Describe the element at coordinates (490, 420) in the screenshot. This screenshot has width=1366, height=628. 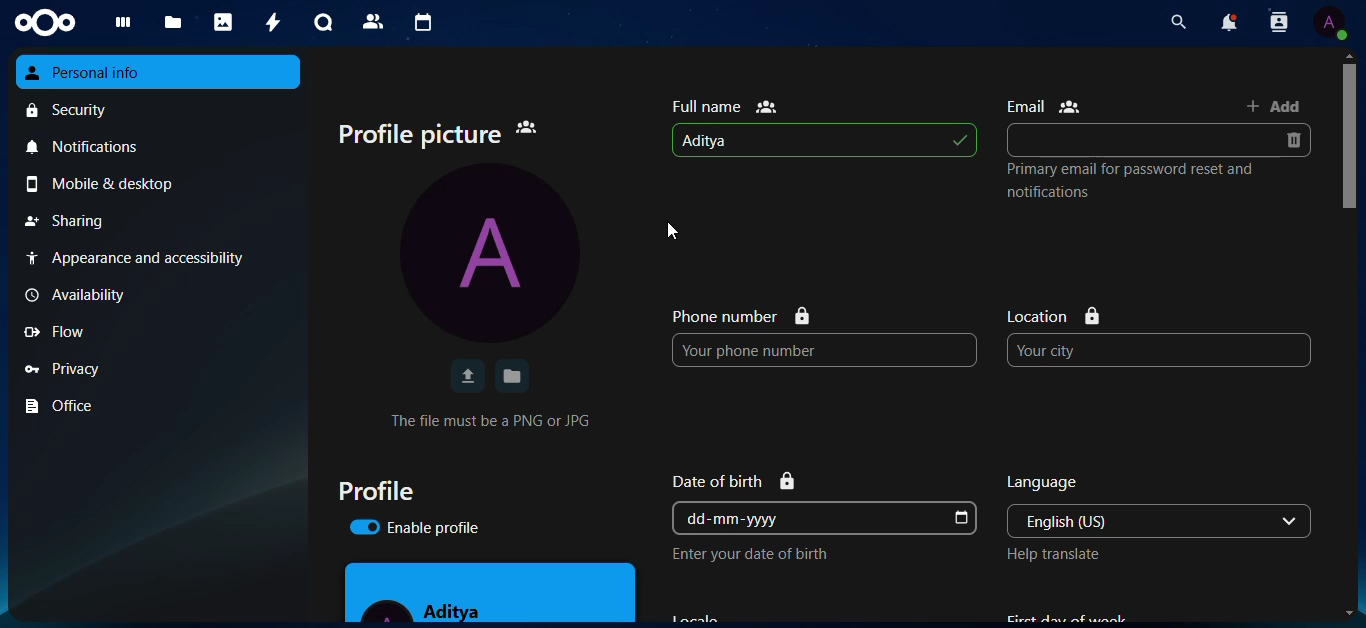
I see `The file must be a PNG or JPG` at that location.